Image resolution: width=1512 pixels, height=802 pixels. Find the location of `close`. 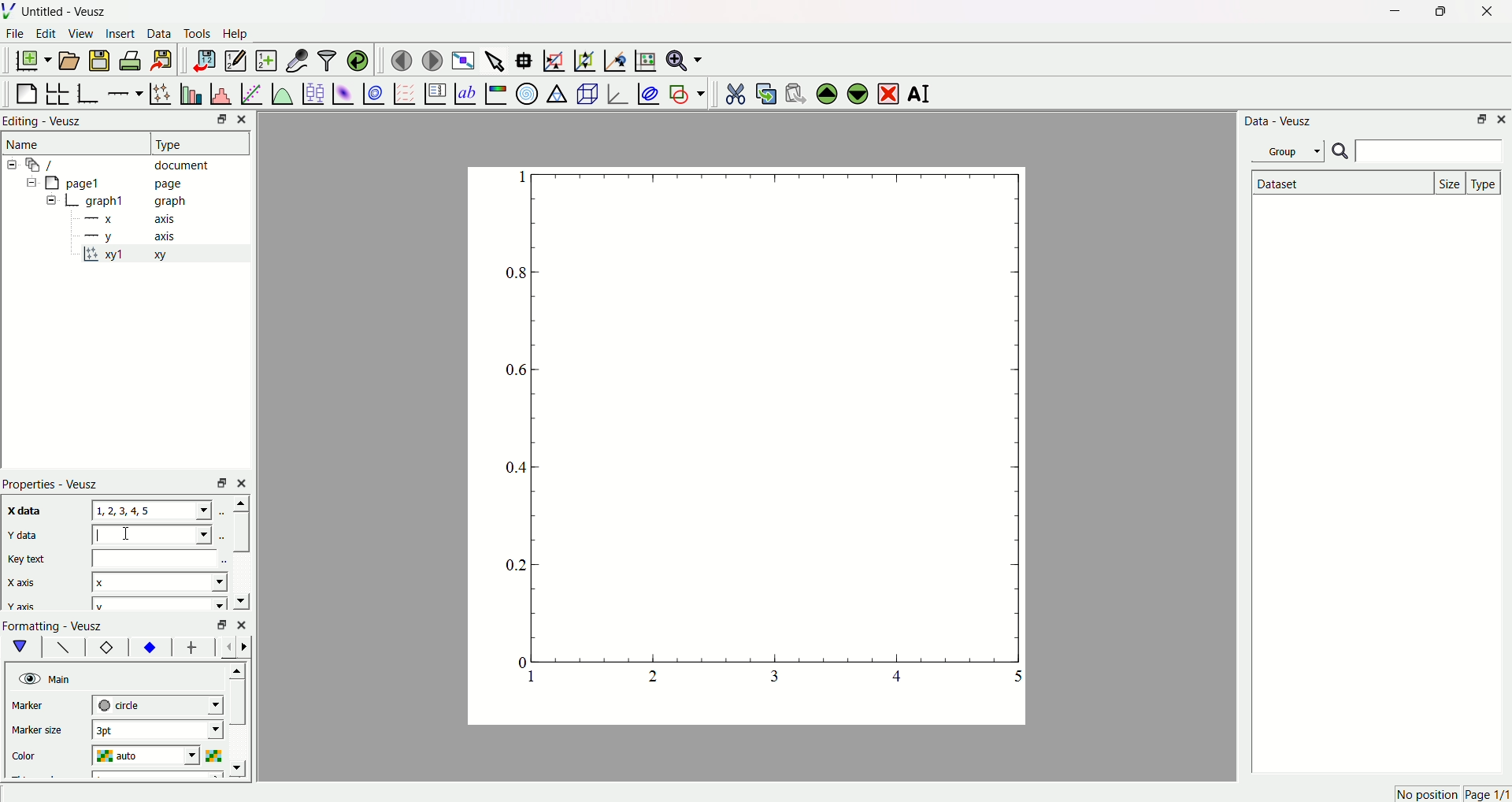

close is located at coordinates (242, 623).